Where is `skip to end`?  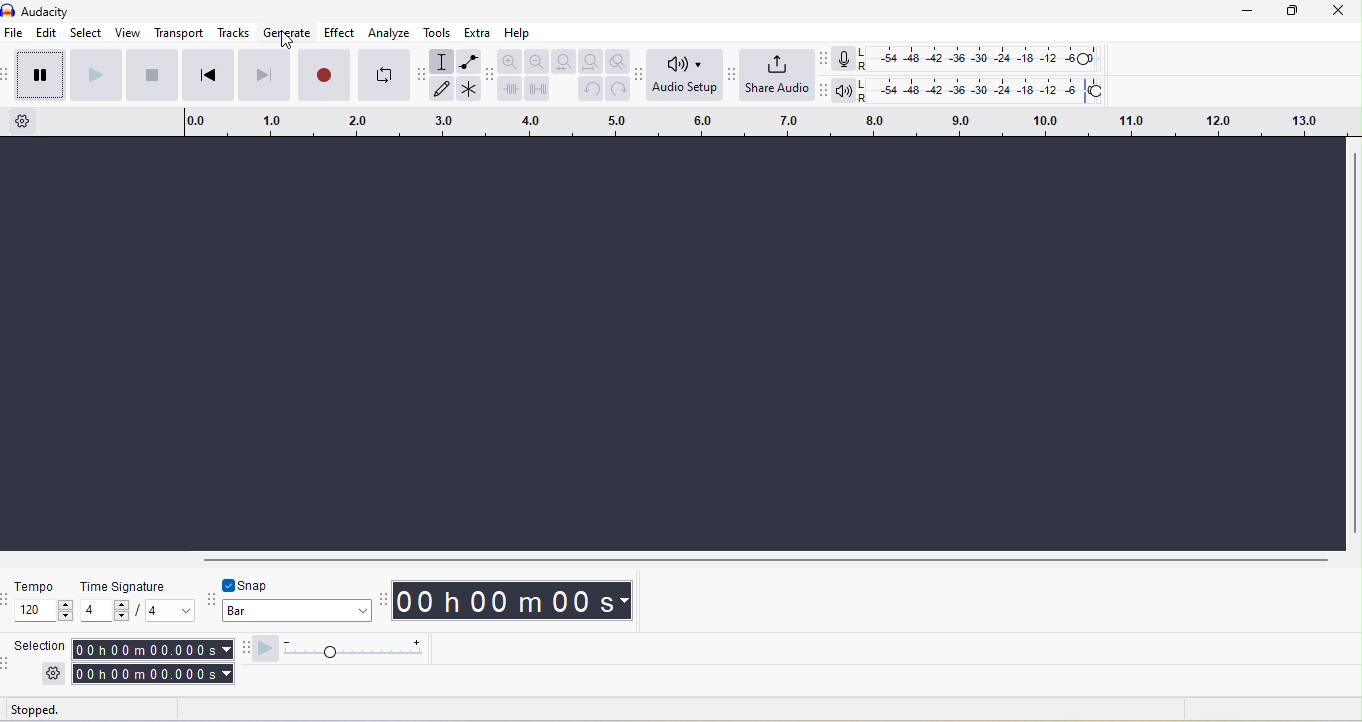
skip to end is located at coordinates (263, 76).